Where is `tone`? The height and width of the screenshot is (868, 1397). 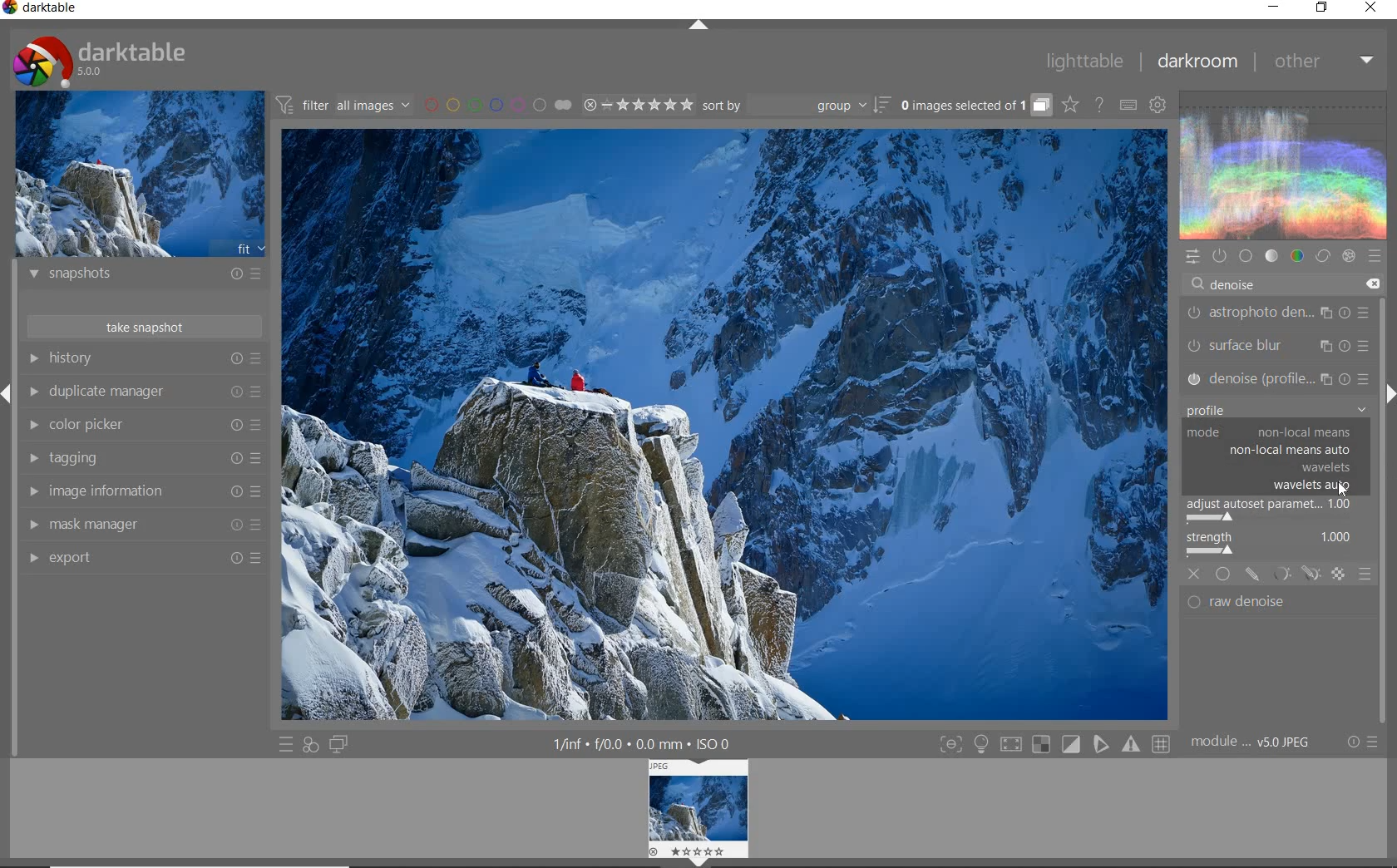
tone is located at coordinates (1271, 255).